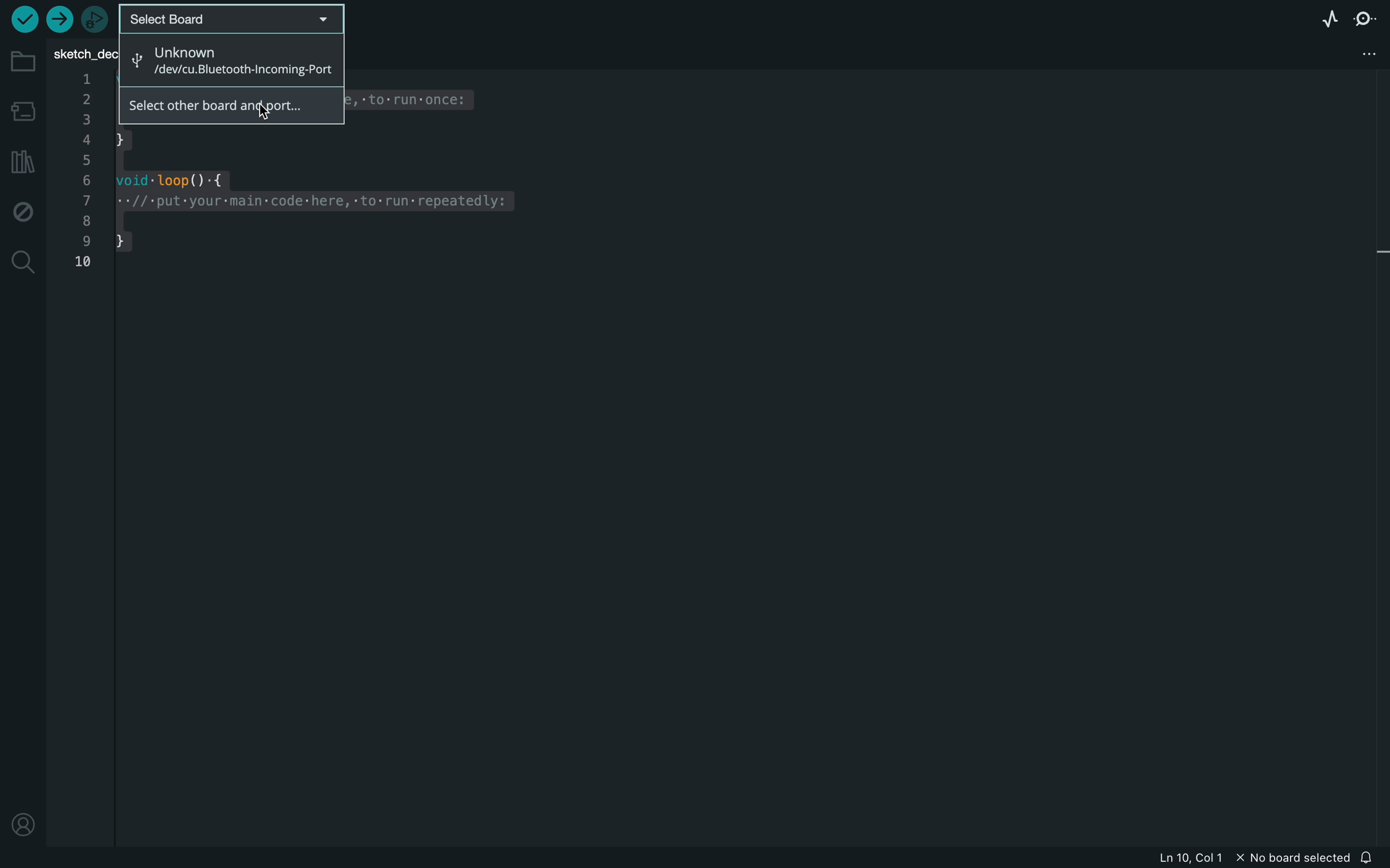 The width and height of the screenshot is (1390, 868). Describe the element at coordinates (1362, 18) in the screenshot. I see `serial monitor` at that location.